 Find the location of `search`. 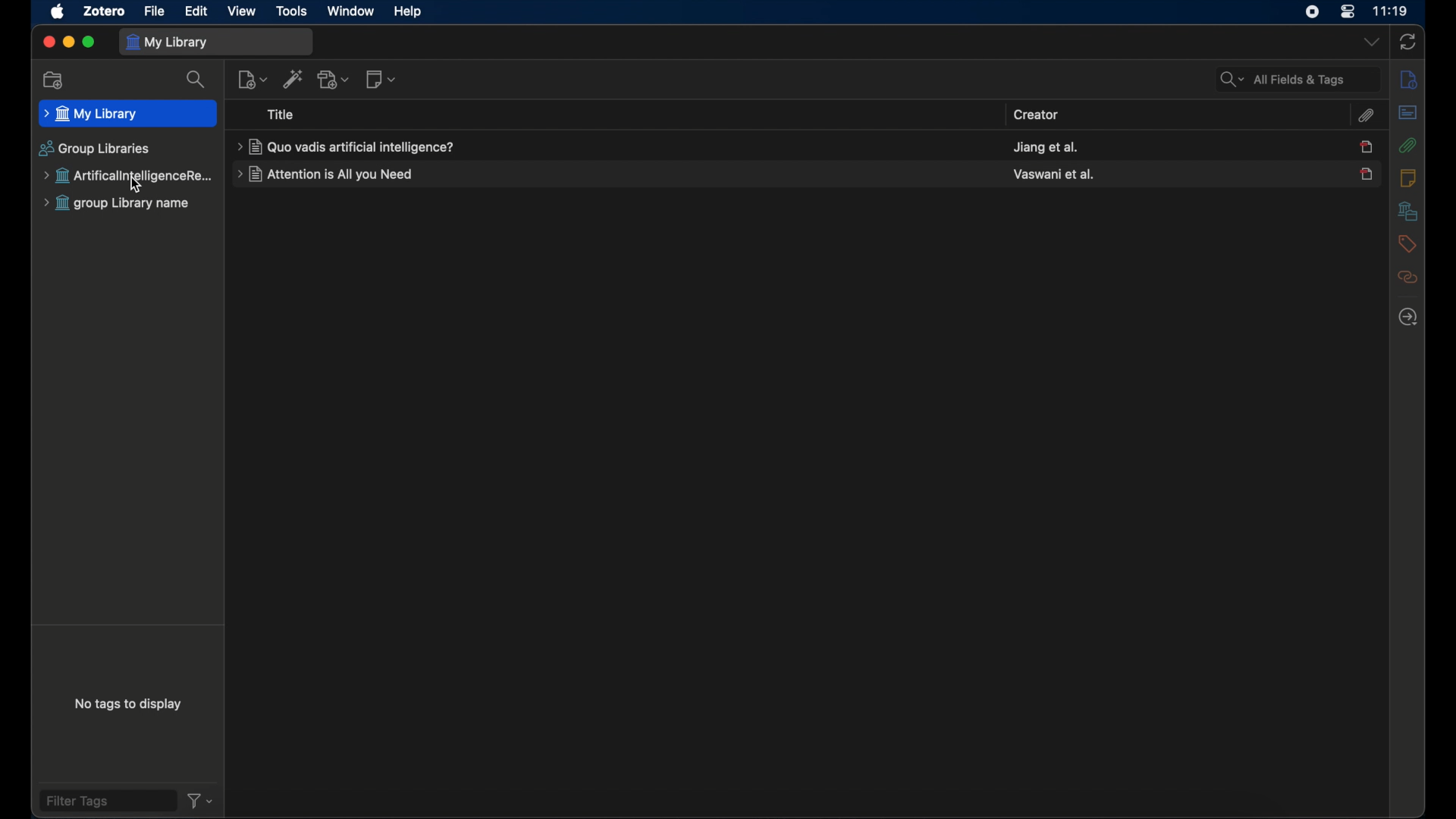

search is located at coordinates (196, 80).